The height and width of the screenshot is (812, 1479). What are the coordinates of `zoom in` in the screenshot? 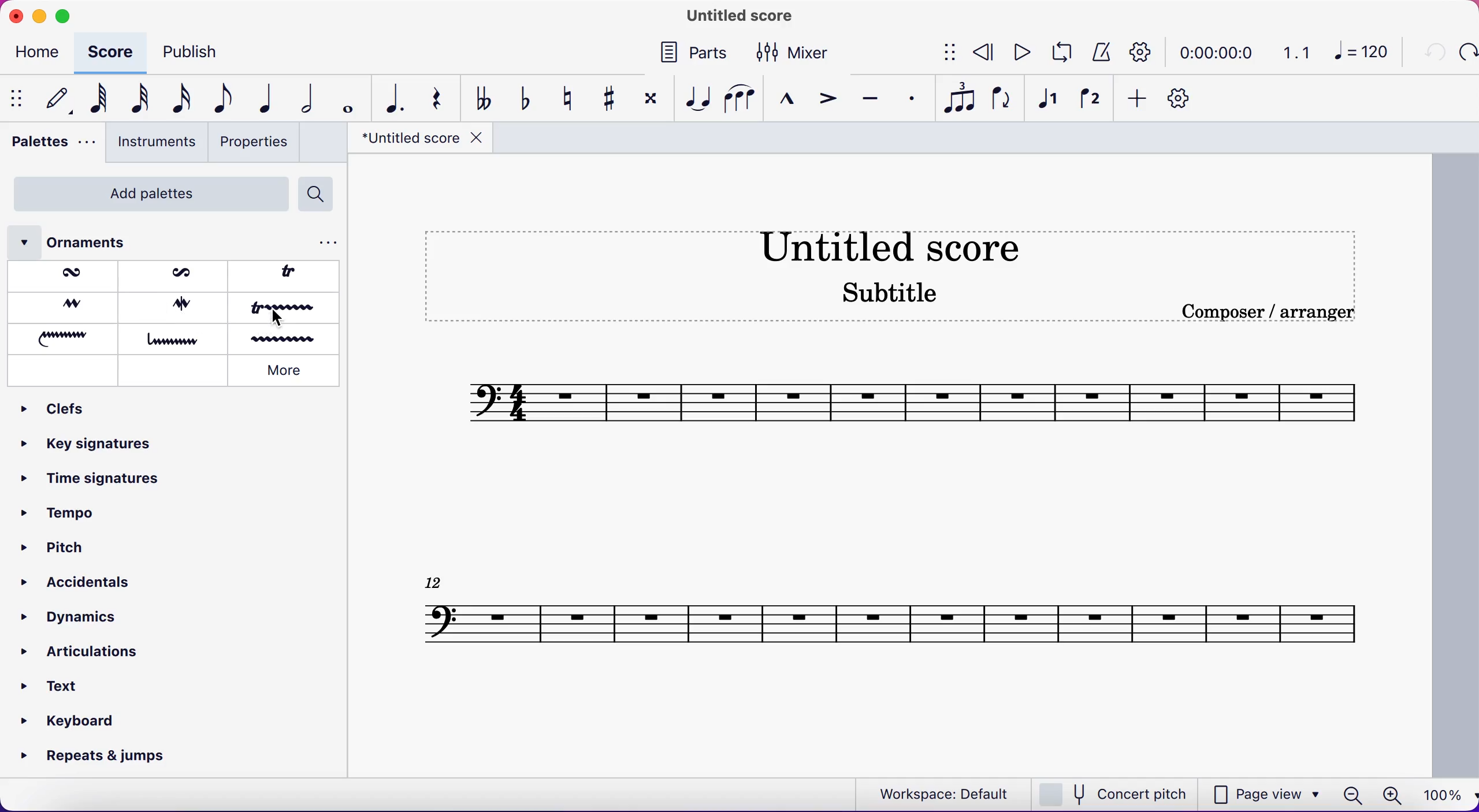 It's located at (1391, 796).